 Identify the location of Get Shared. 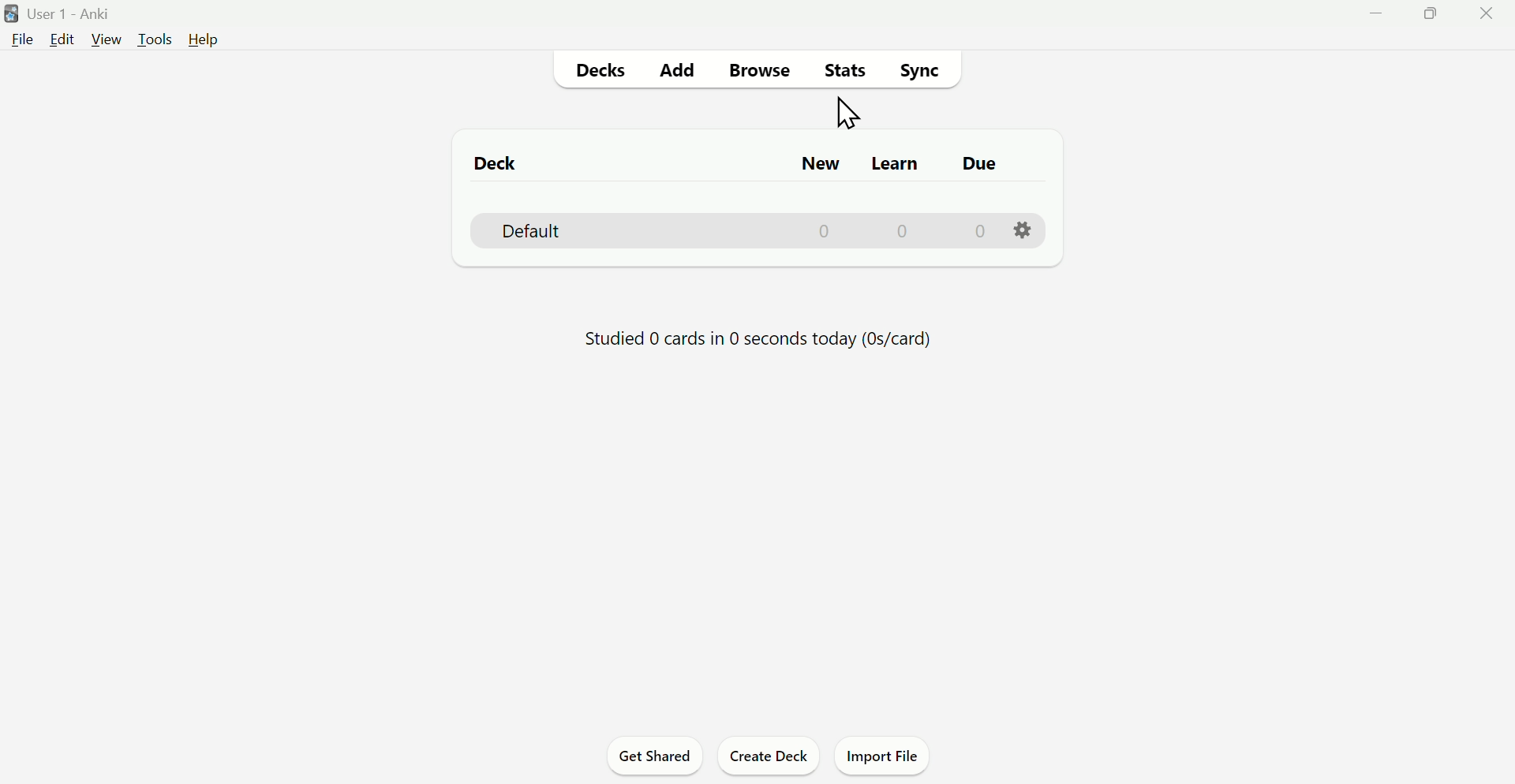
(651, 754).